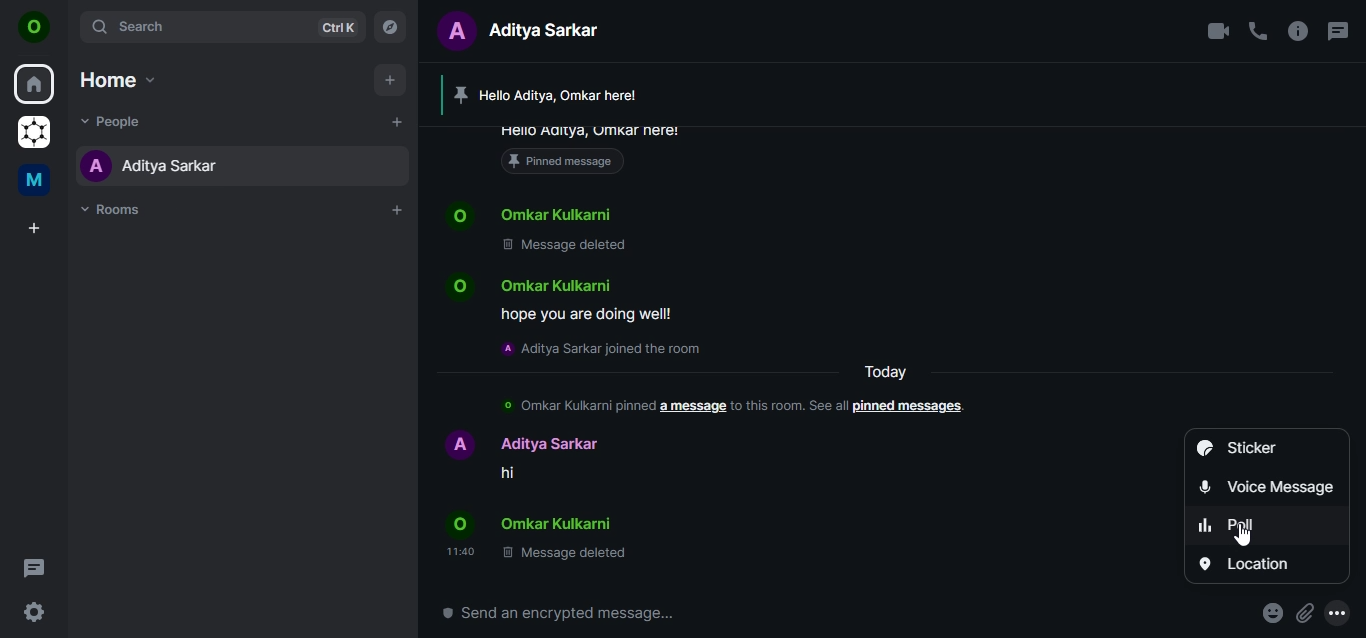 The image size is (1366, 638). Describe the element at coordinates (1336, 31) in the screenshot. I see `threads` at that location.